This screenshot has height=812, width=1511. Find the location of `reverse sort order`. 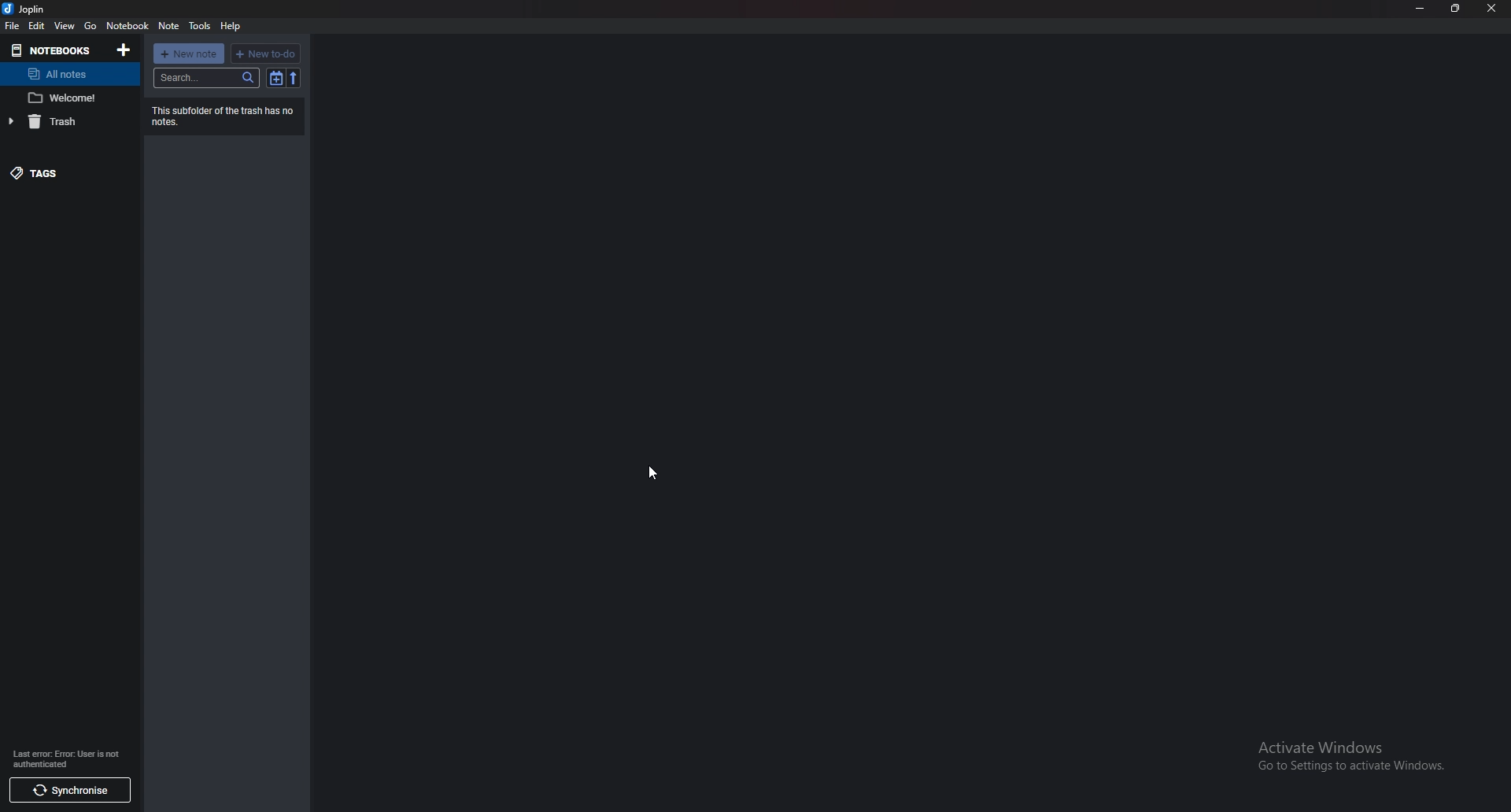

reverse sort order is located at coordinates (294, 78).